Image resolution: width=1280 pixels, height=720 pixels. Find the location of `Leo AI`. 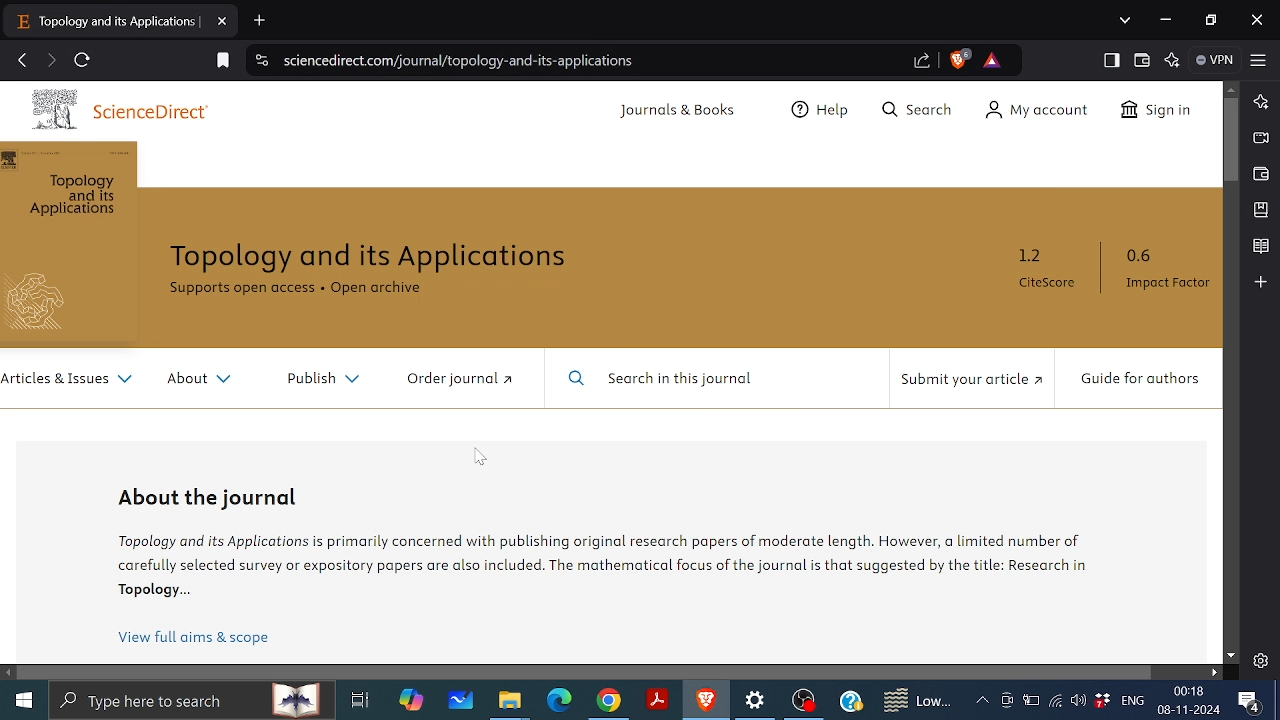

Leo AI is located at coordinates (1172, 60).